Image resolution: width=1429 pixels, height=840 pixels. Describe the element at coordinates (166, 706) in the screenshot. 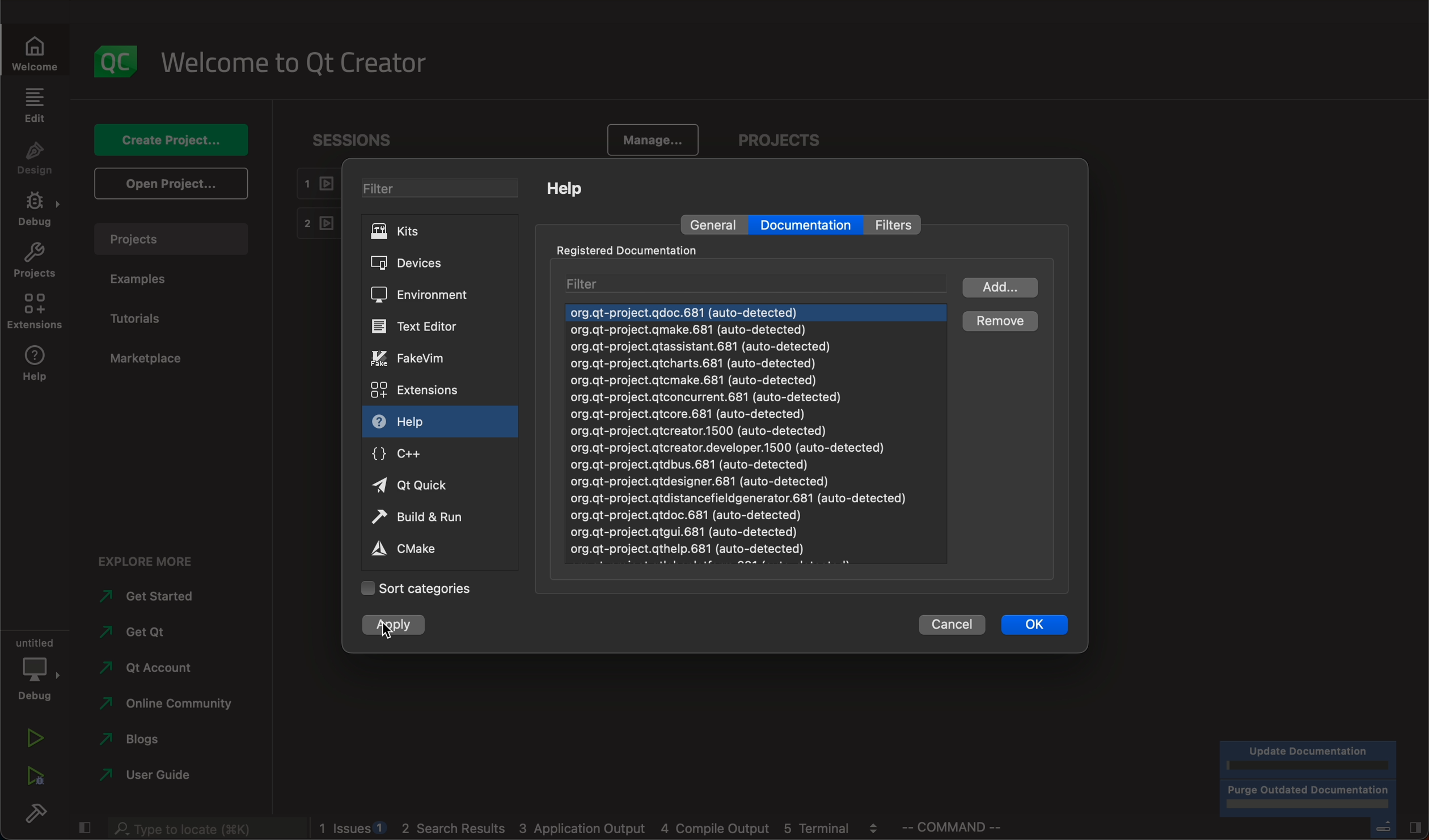

I see `community` at that location.